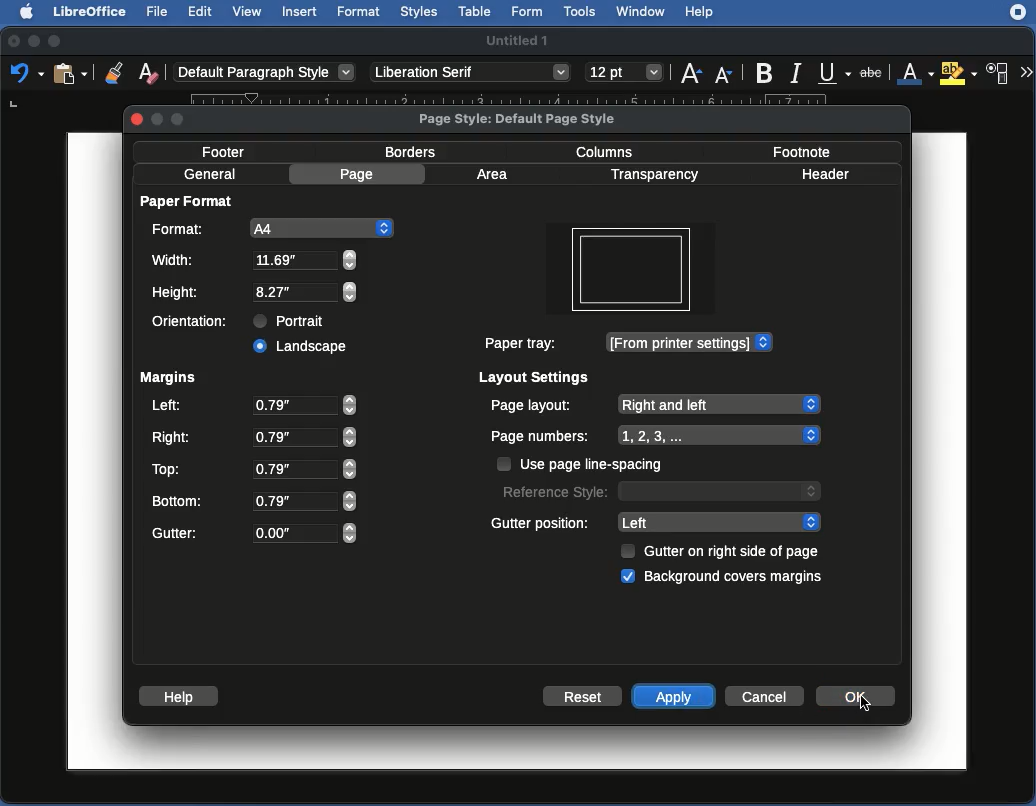 This screenshot has width=1036, height=806. I want to click on Maximize, so click(57, 40).